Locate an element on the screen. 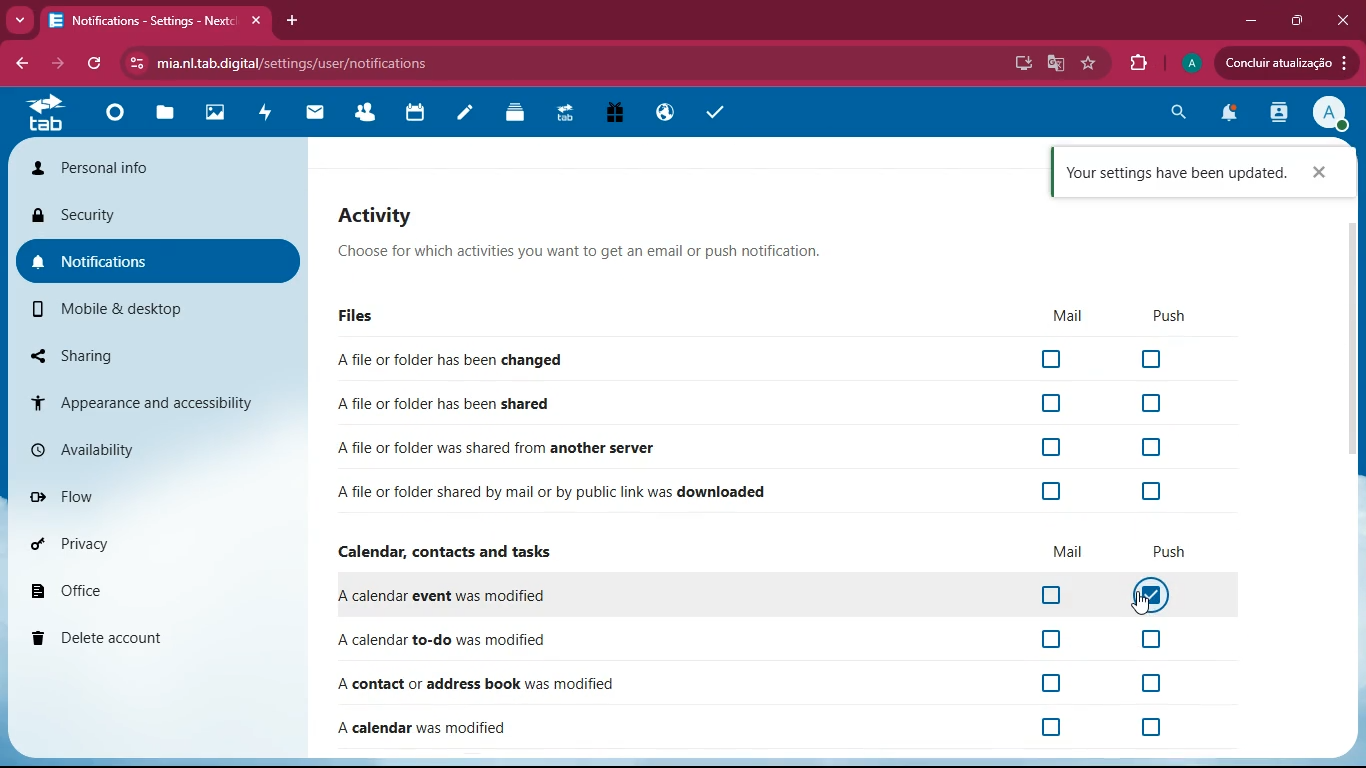  refresh is located at coordinates (96, 66).